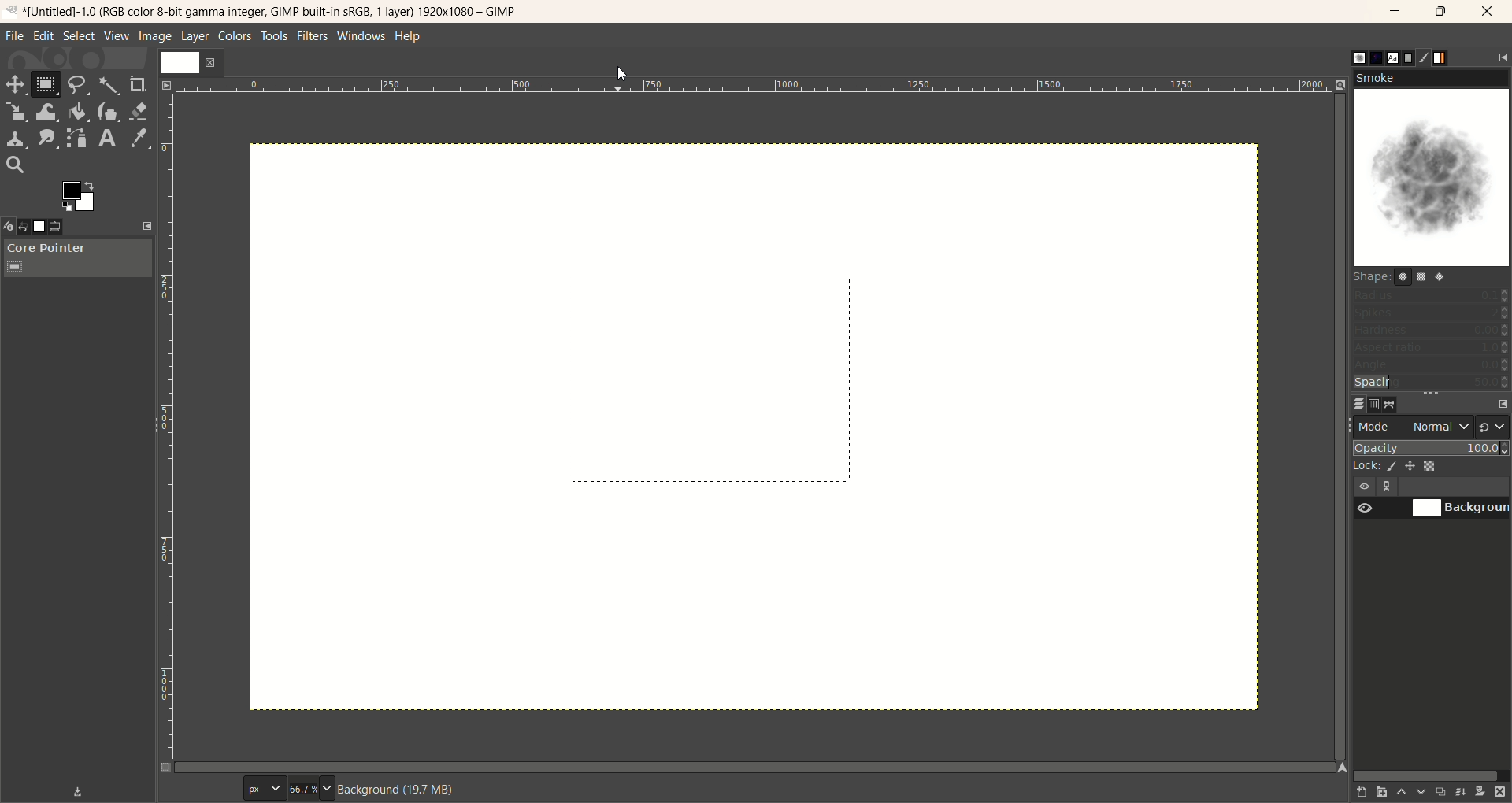 The width and height of the screenshot is (1512, 803). Describe the element at coordinates (1501, 57) in the screenshot. I see `configure this tab` at that location.